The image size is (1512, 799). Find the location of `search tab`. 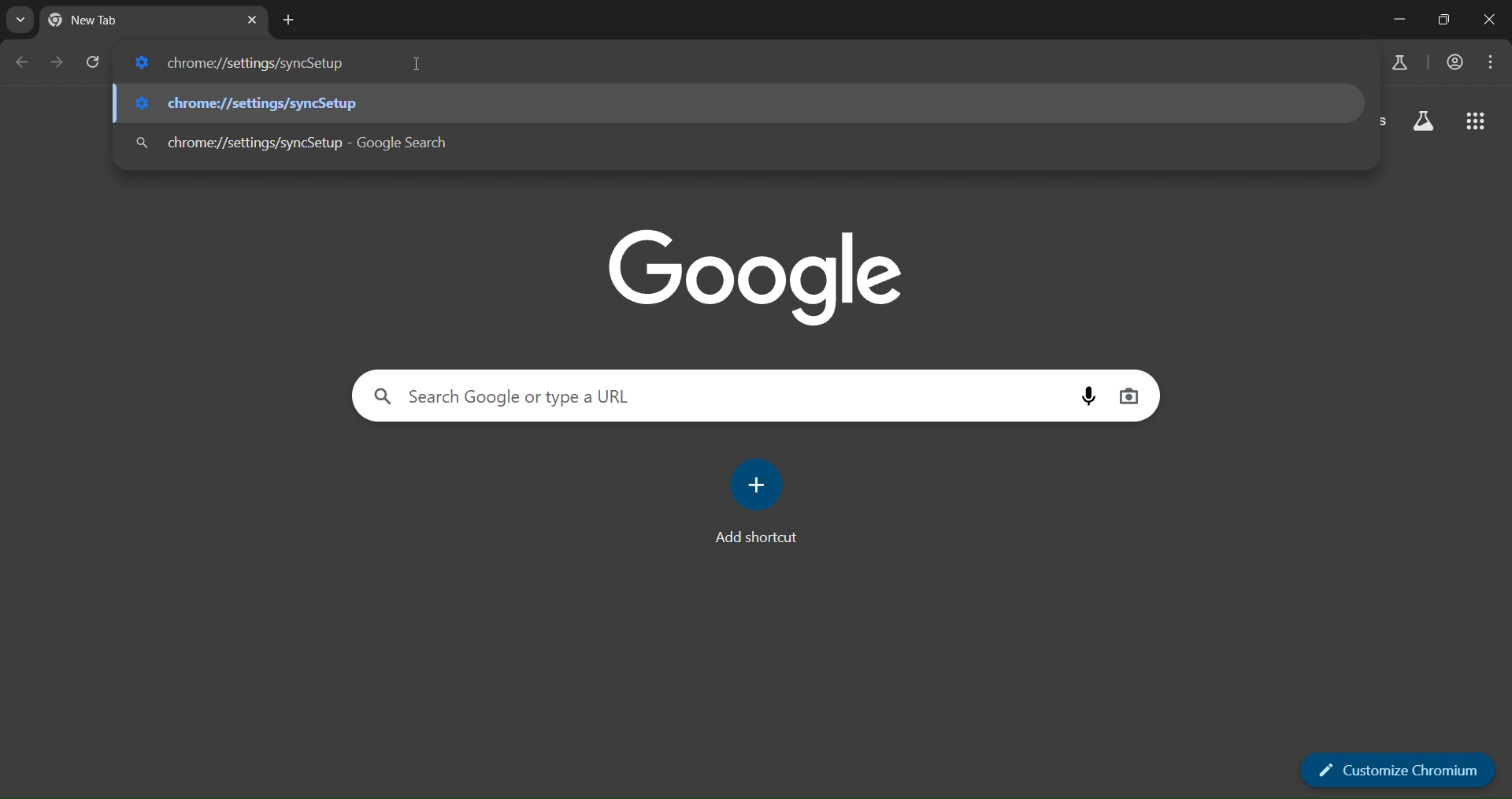

search tab is located at coordinates (20, 21).